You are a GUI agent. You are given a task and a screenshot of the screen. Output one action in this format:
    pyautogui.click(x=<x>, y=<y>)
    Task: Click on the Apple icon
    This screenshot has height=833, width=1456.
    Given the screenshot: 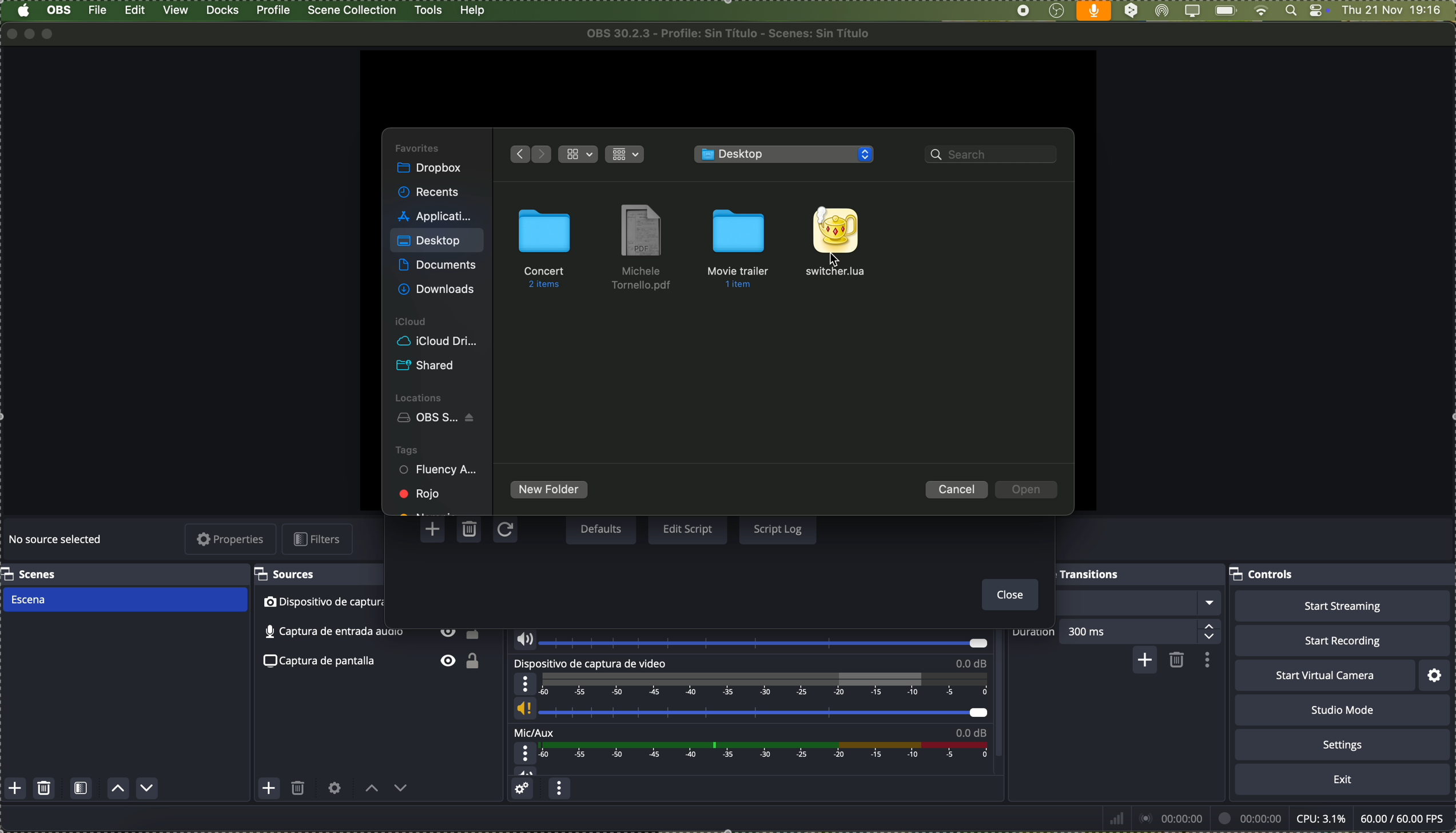 What is the action you would take?
    pyautogui.click(x=23, y=11)
    